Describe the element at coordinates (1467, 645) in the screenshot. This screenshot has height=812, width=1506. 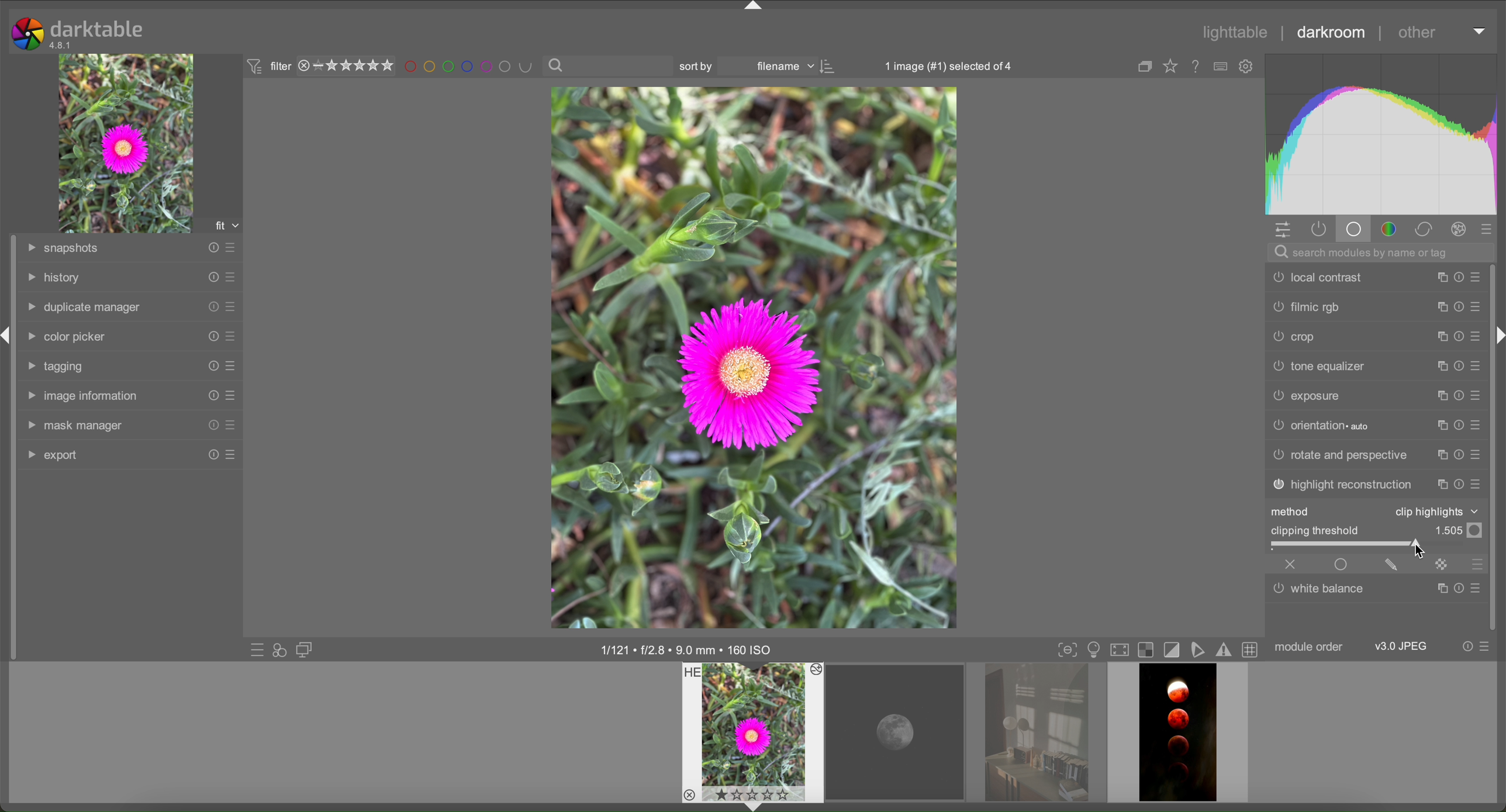
I see `reset presets` at that location.